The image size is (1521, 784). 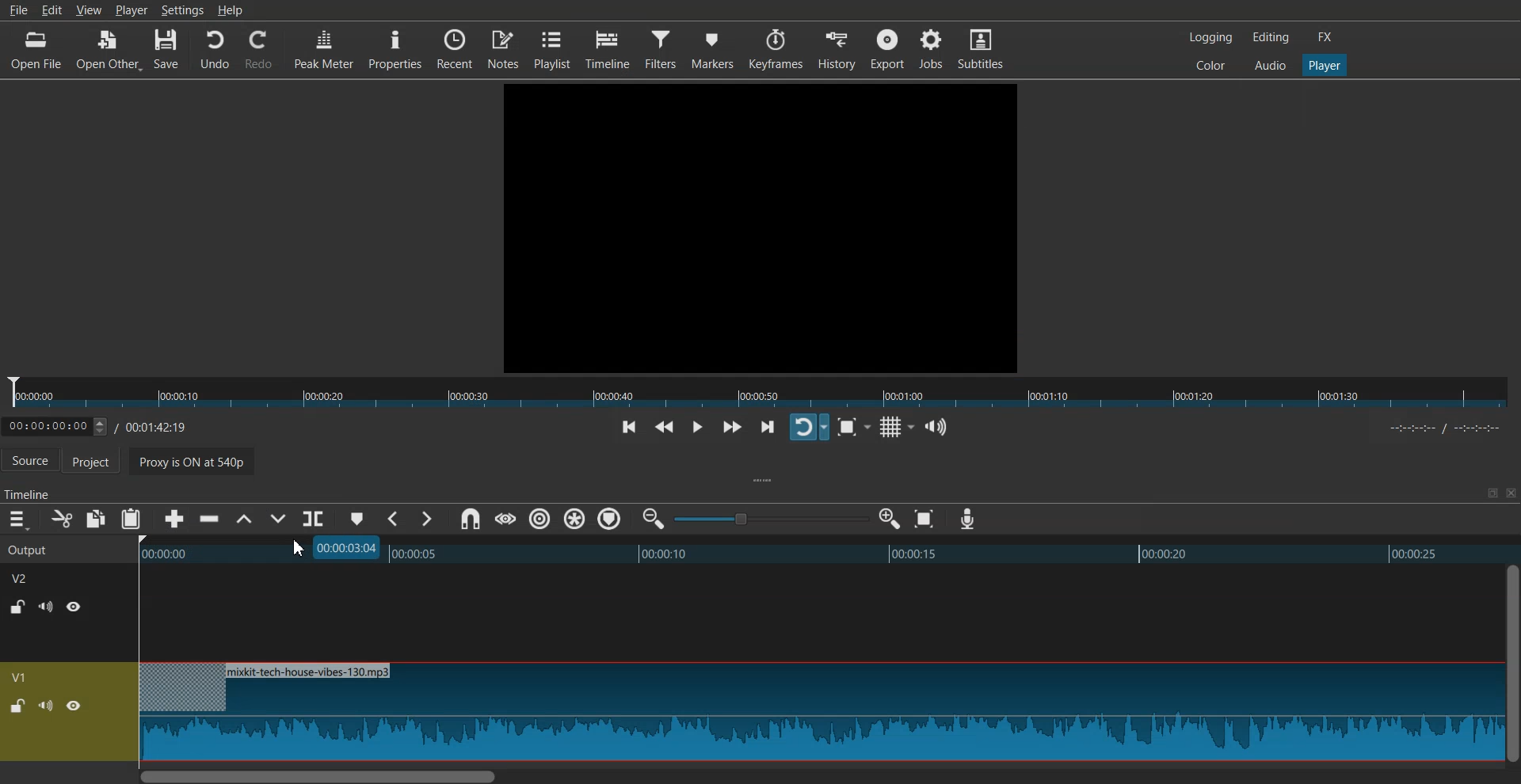 What do you see at coordinates (930, 48) in the screenshot?
I see `Jobs` at bounding box center [930, 48].